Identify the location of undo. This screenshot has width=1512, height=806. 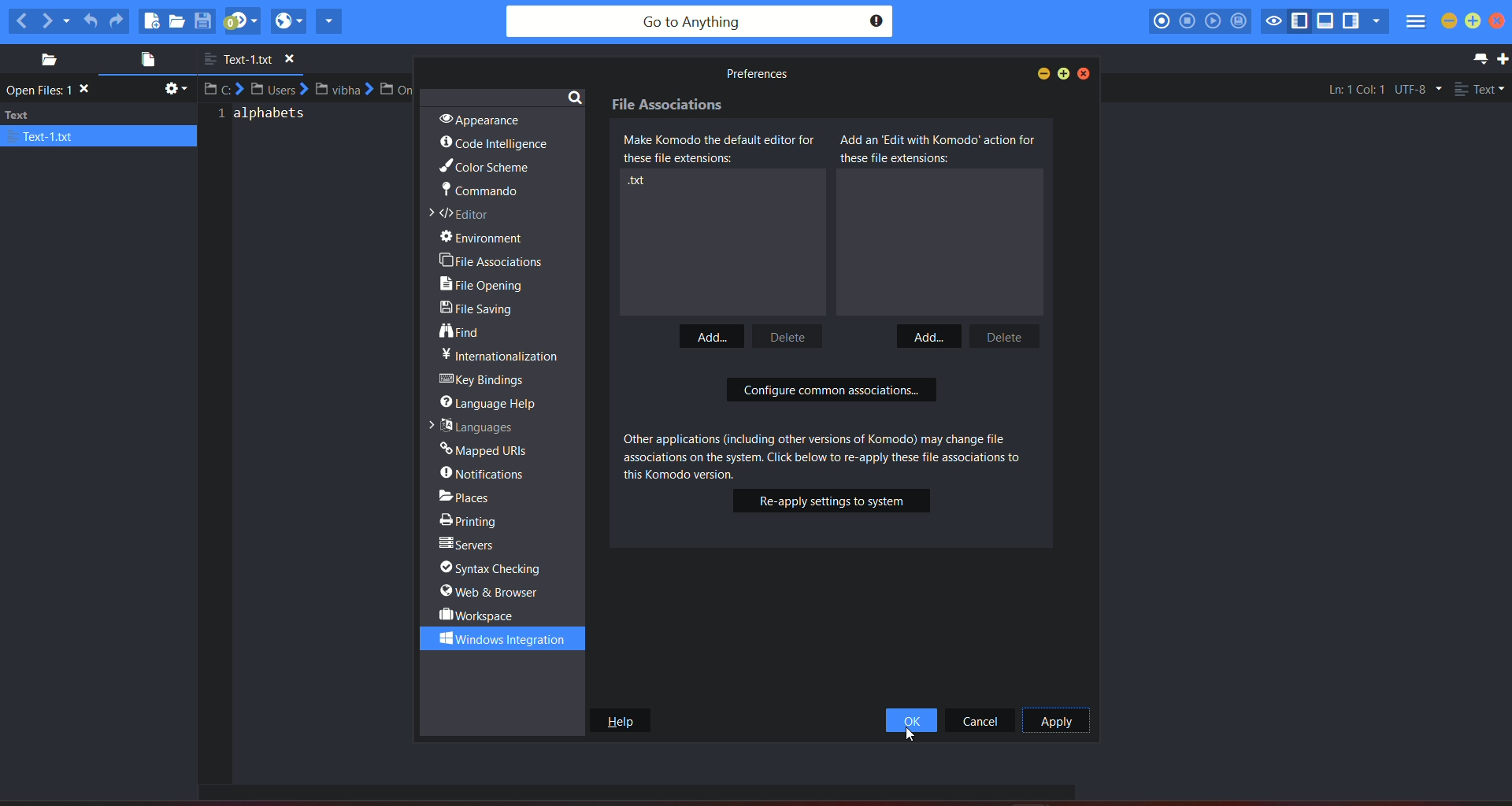
(91, 18).